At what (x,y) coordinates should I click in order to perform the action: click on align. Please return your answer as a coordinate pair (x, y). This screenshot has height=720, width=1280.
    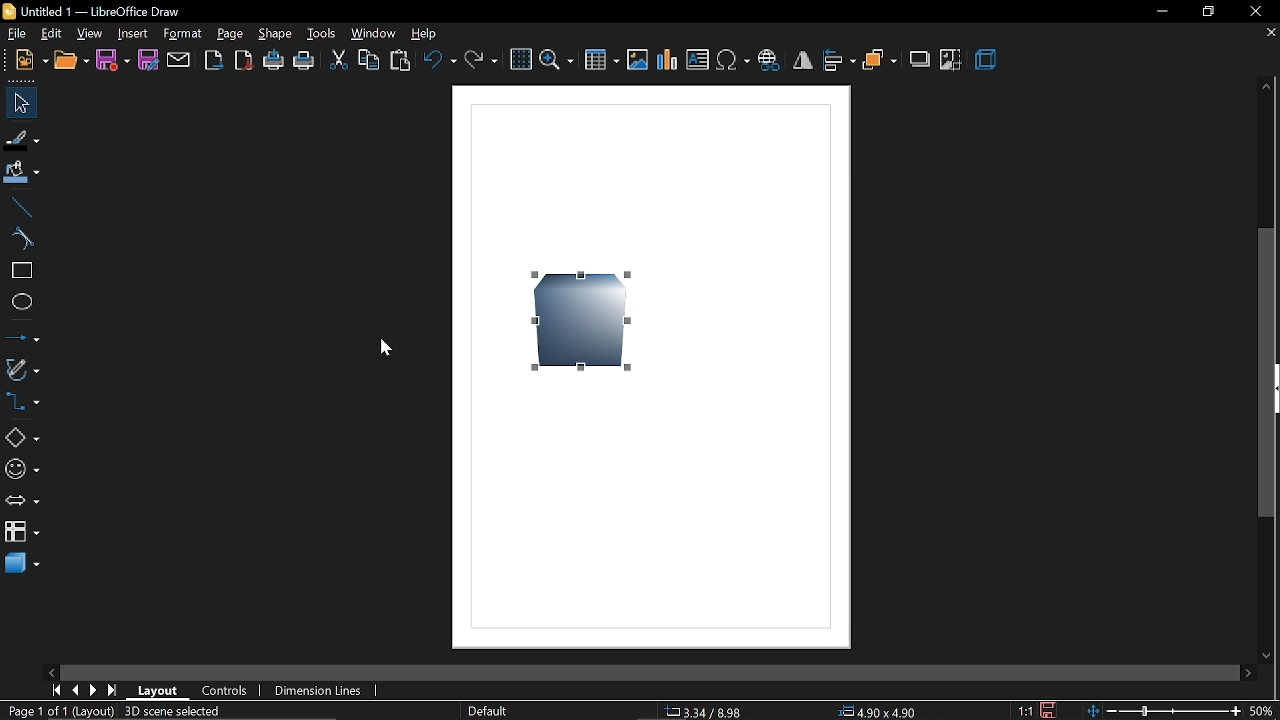
    Looking at the image, I should click on (839, 62).